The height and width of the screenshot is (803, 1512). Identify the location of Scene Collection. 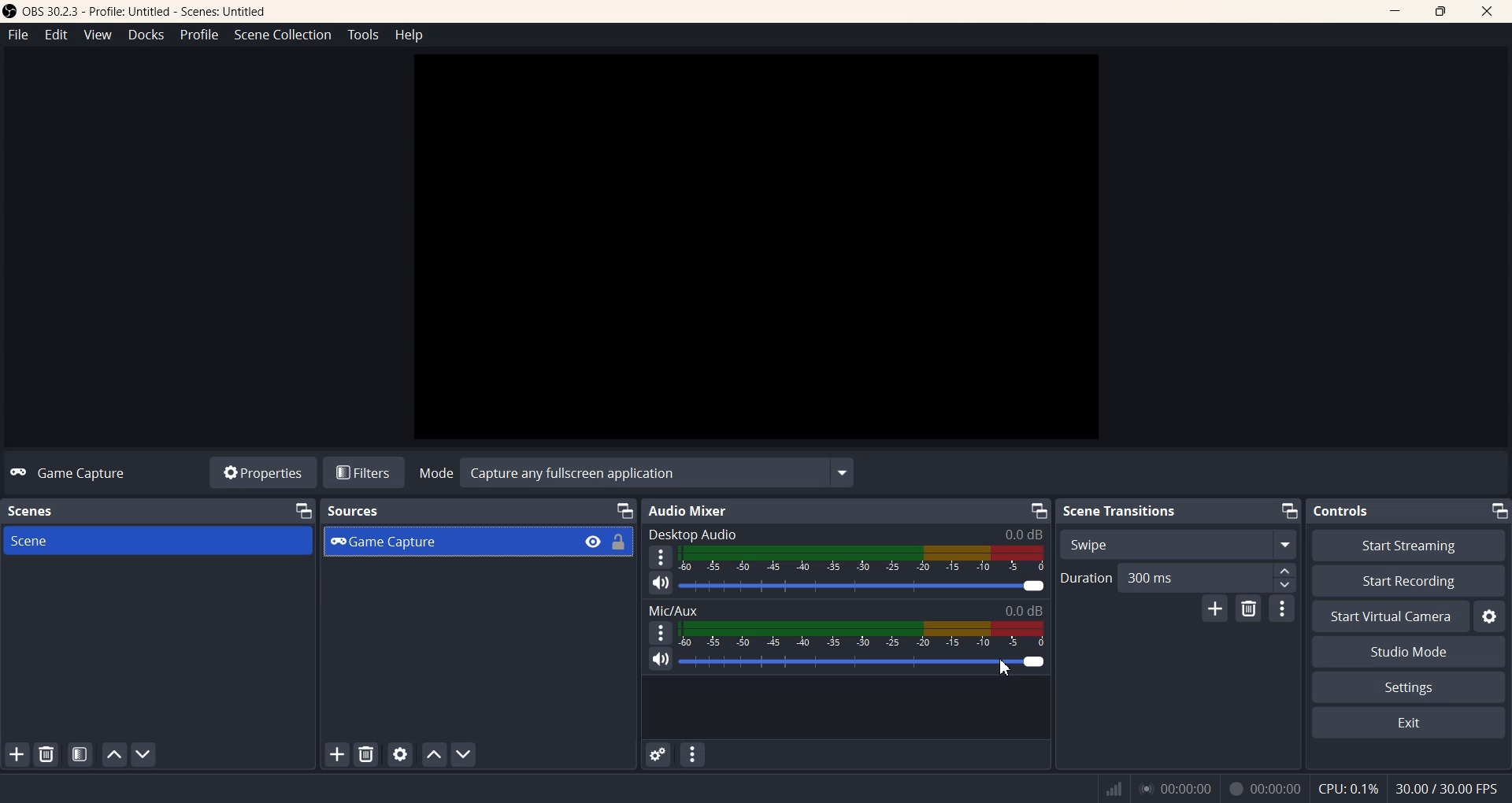
(283, 35).